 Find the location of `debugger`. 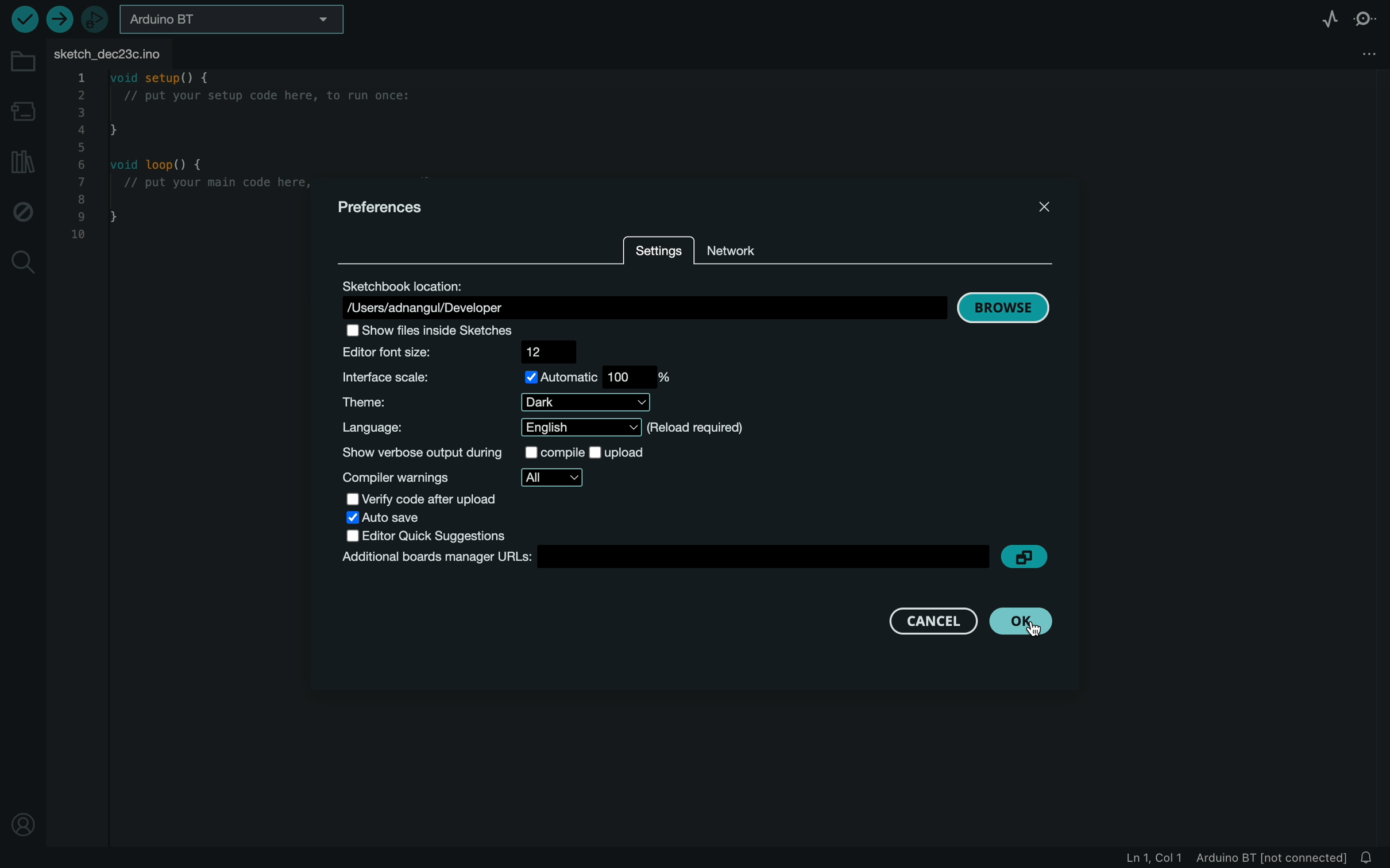

debugger is located at coordinates (24, 211).